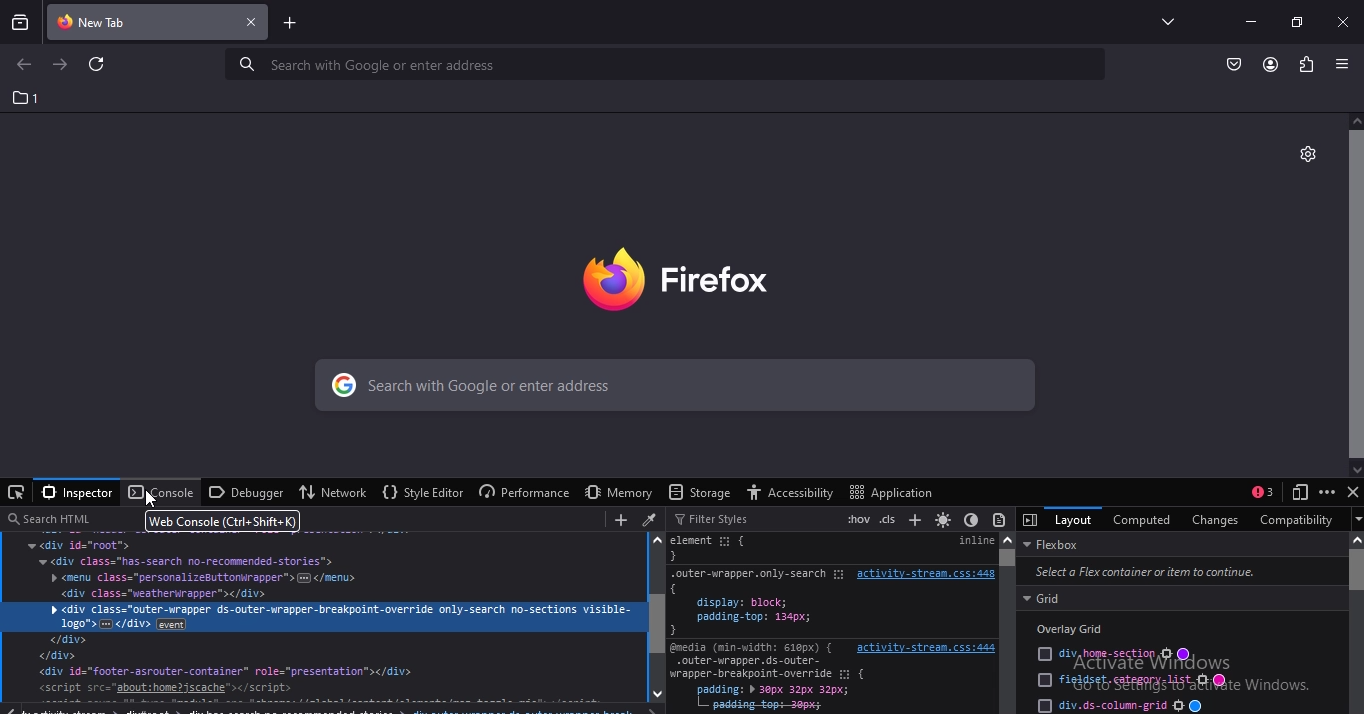  Describe the element at coordinates (831, 624) in the screenshot. I see `xt` at that location.